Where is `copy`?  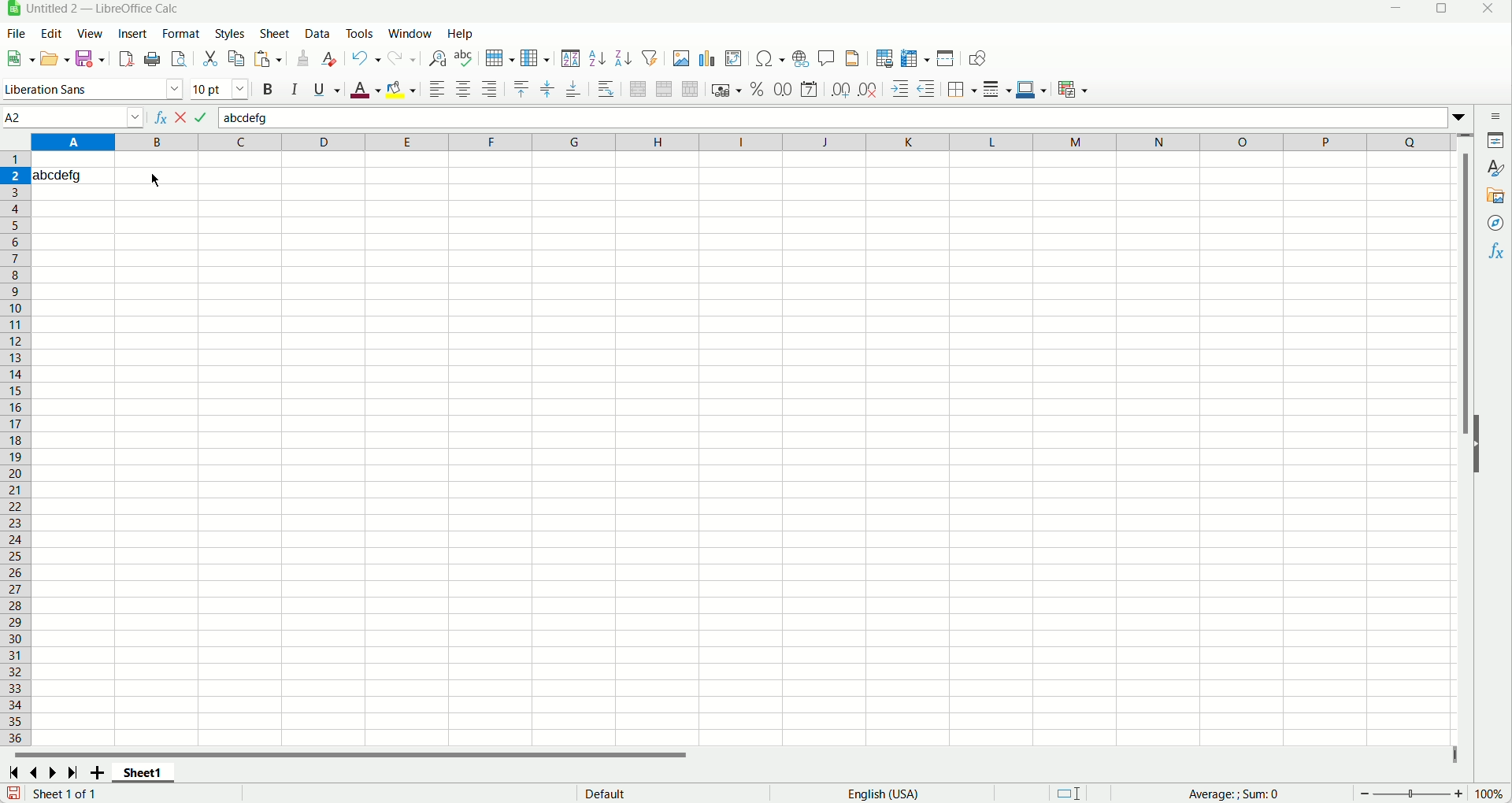
copy is located at coordinates (236, 58).